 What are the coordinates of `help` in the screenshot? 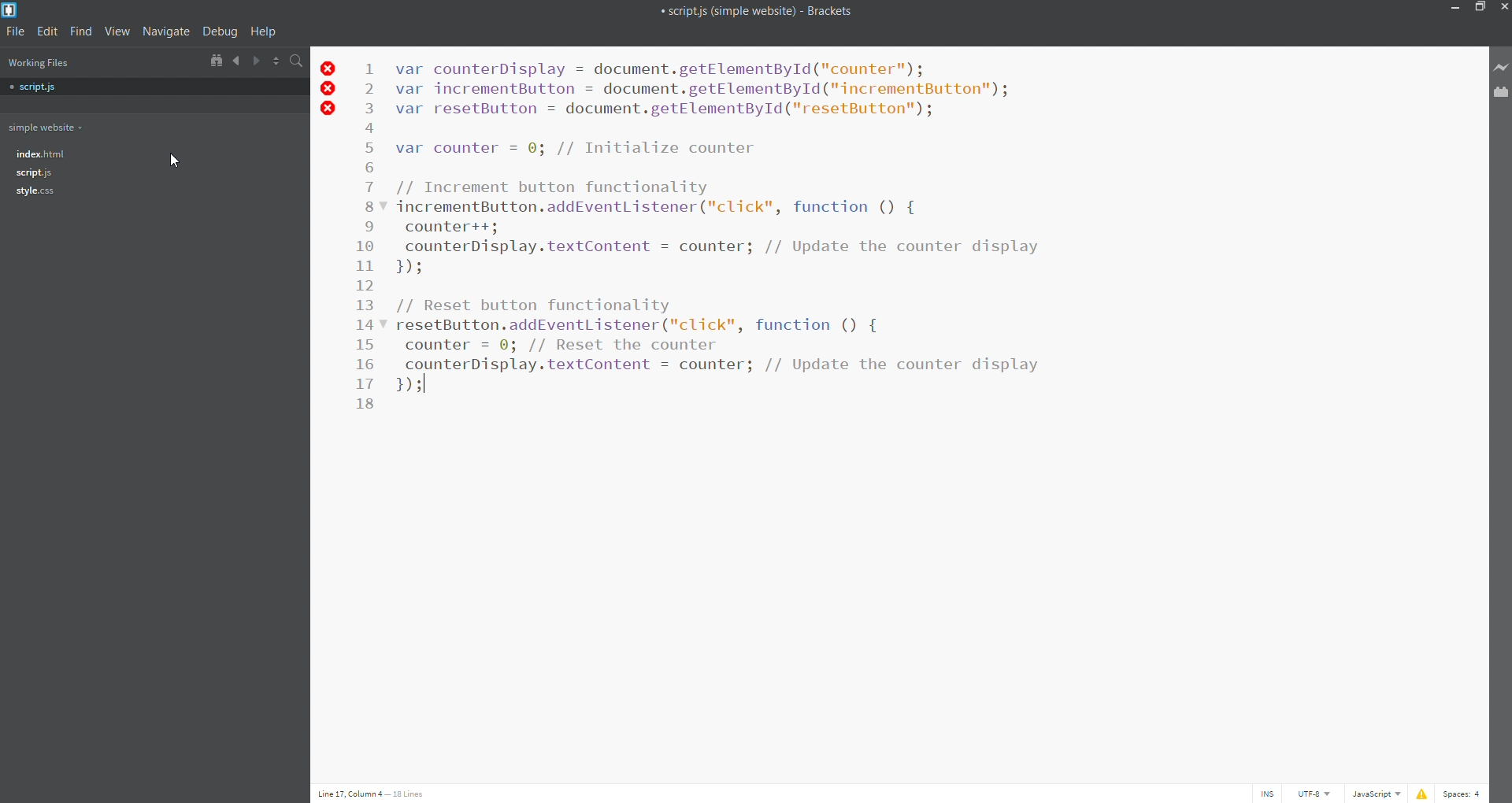 It's located at (267, 30).